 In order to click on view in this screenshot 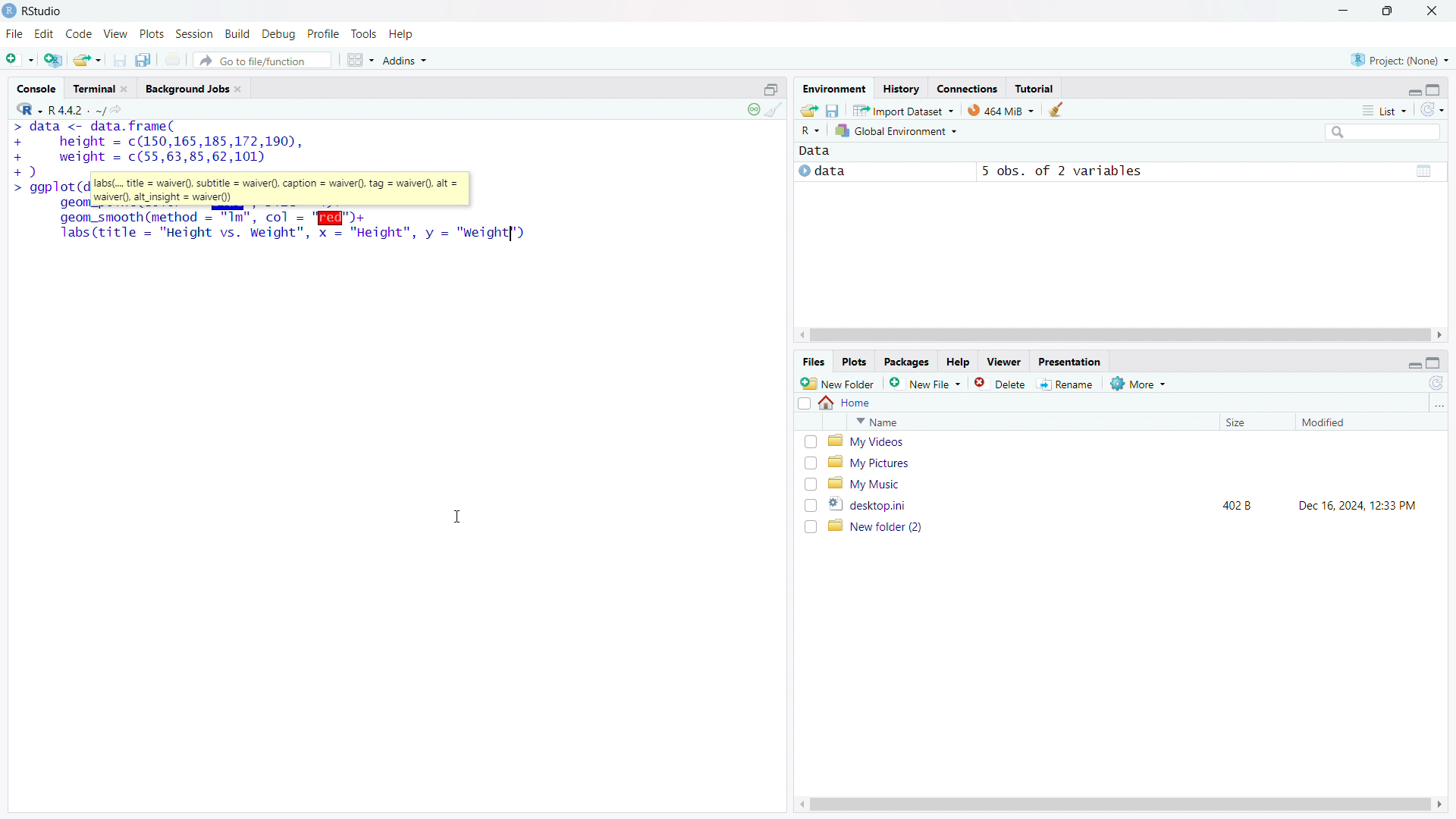, I will do `click(116, 34)`.